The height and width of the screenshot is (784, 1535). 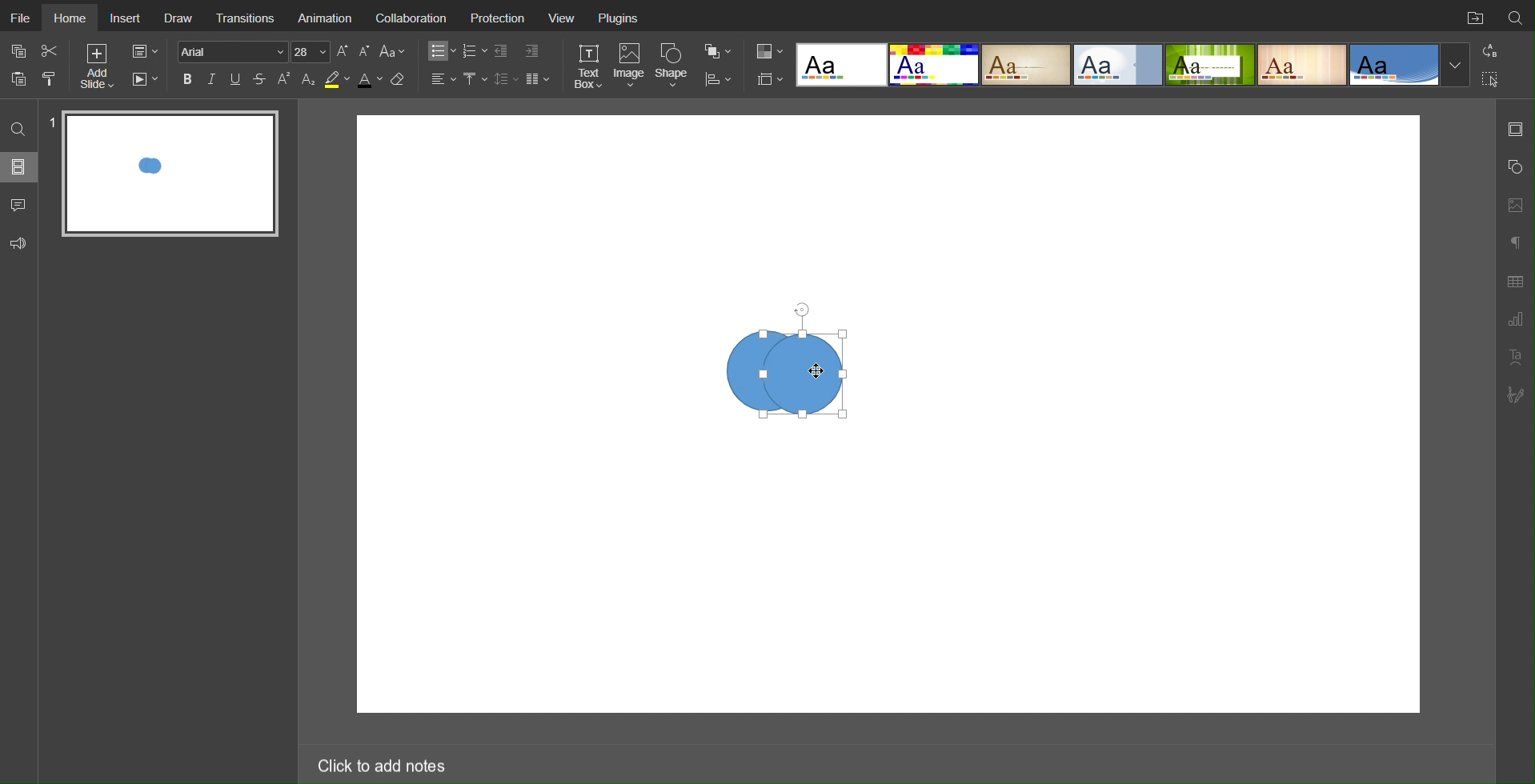 What do you see at coordinates (336, 80) in the screenshot?
I see `Highlight` at bounding box center [336, 80].